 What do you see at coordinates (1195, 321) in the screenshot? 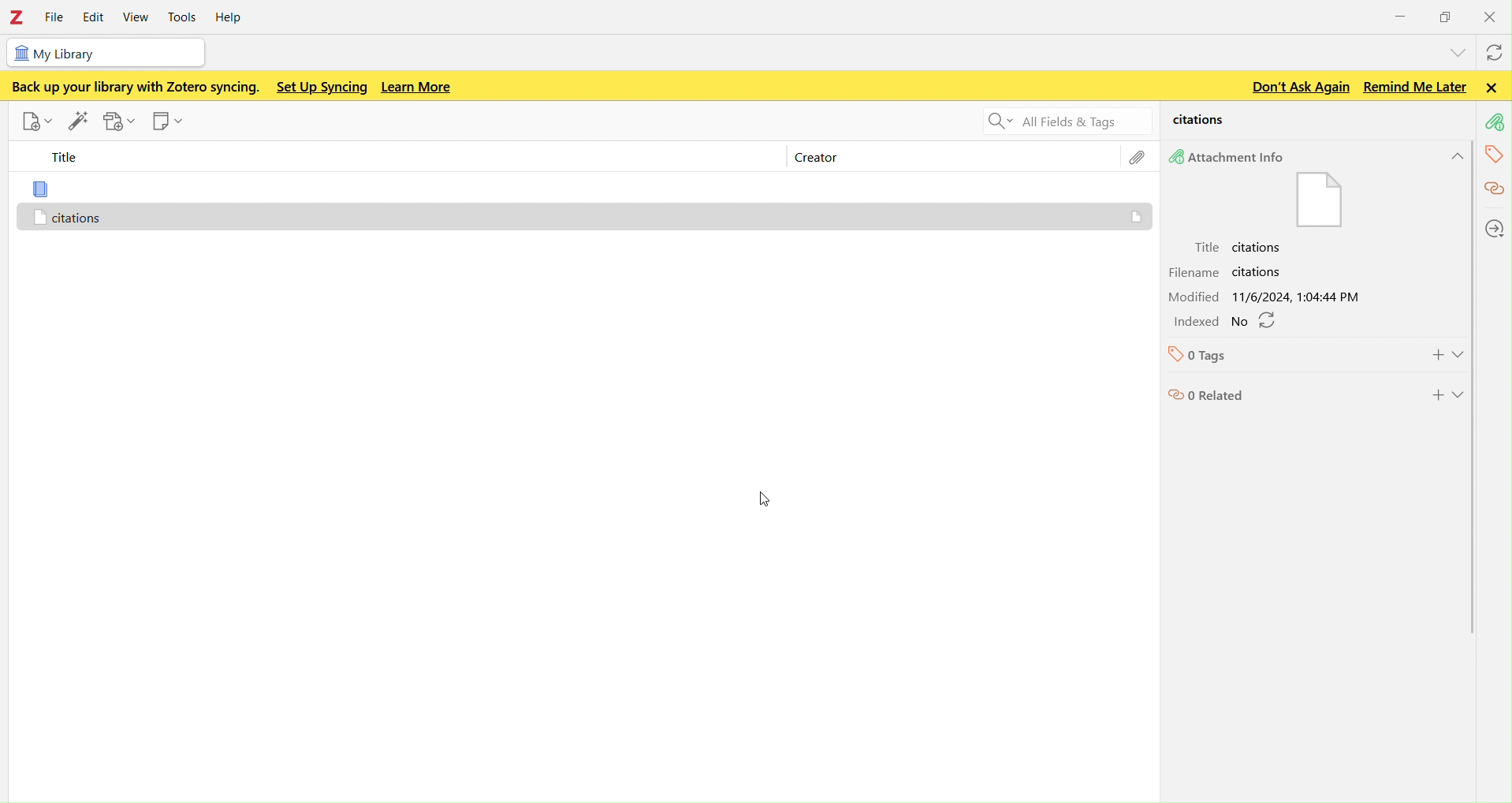
I see `Indexed` at bounding box center [1195, 321].